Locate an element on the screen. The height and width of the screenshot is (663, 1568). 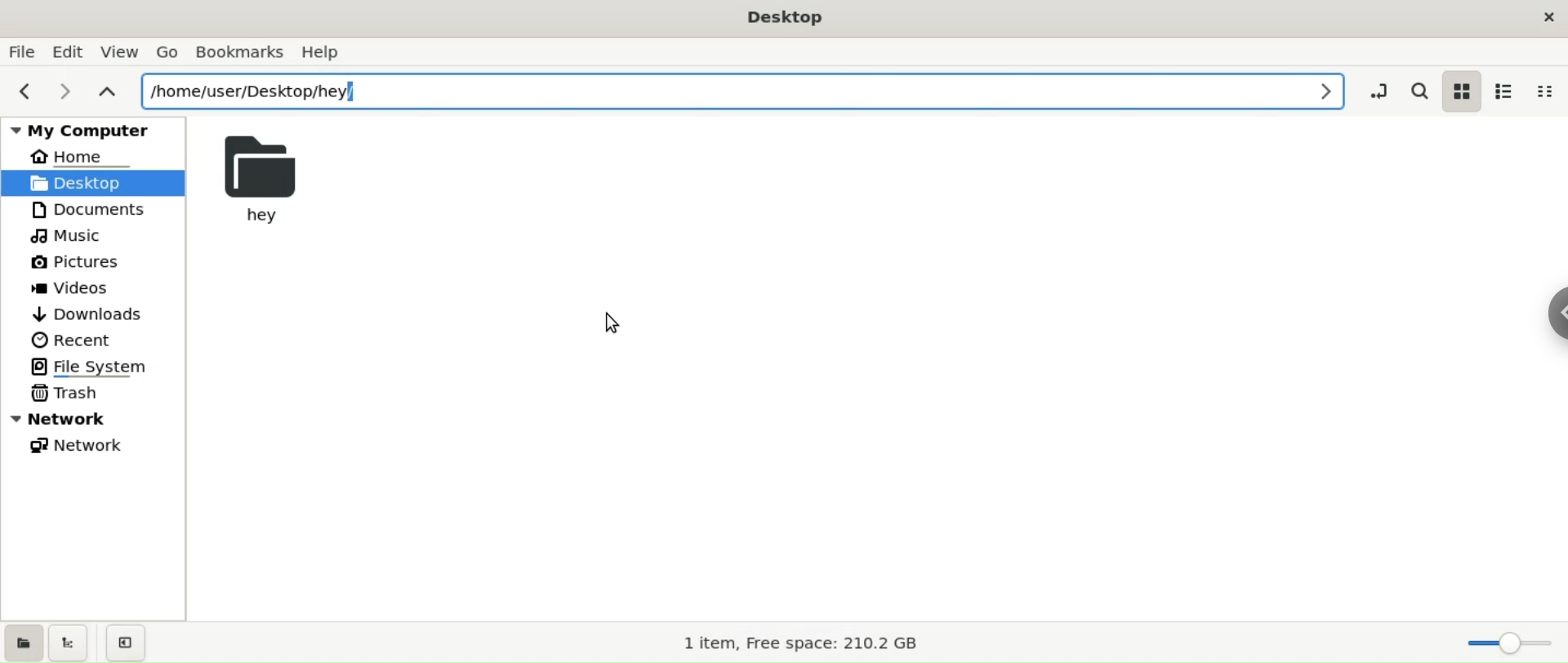
bookmarks is located at coordinates (239, 51).